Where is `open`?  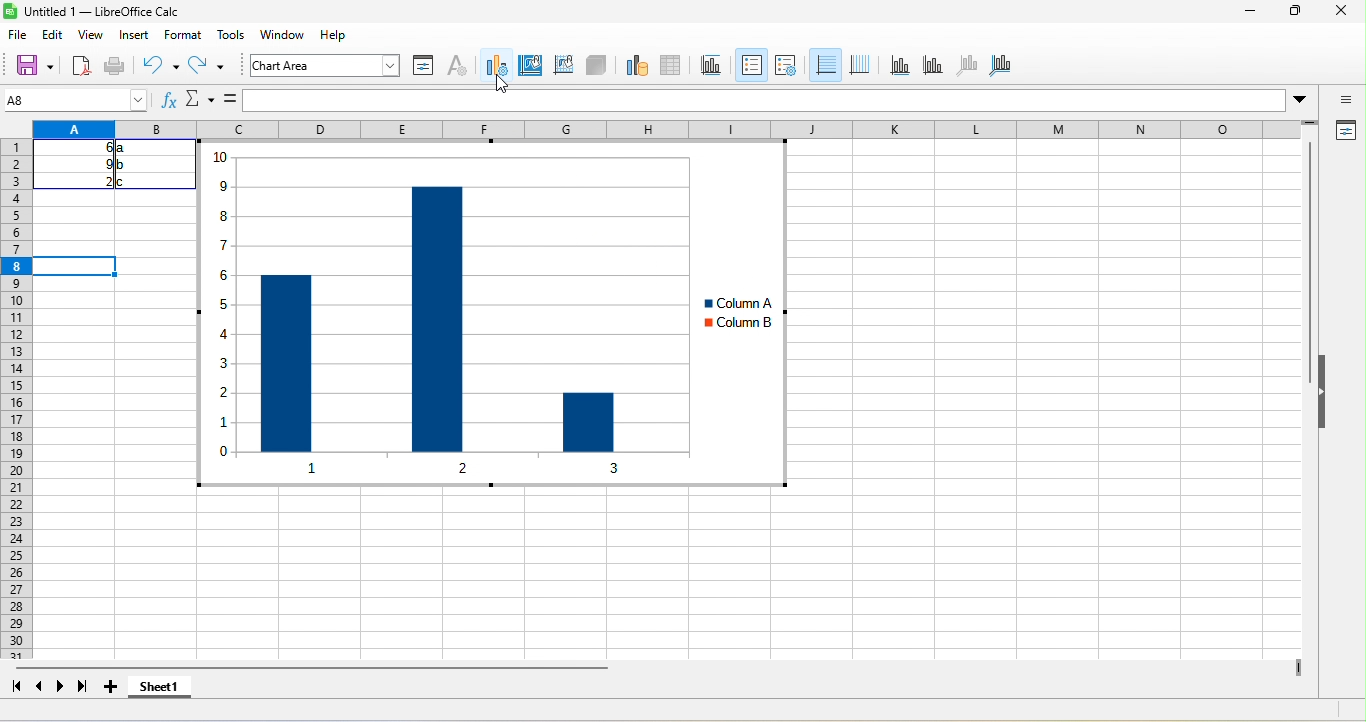 open is located at coordinates (79, 64).